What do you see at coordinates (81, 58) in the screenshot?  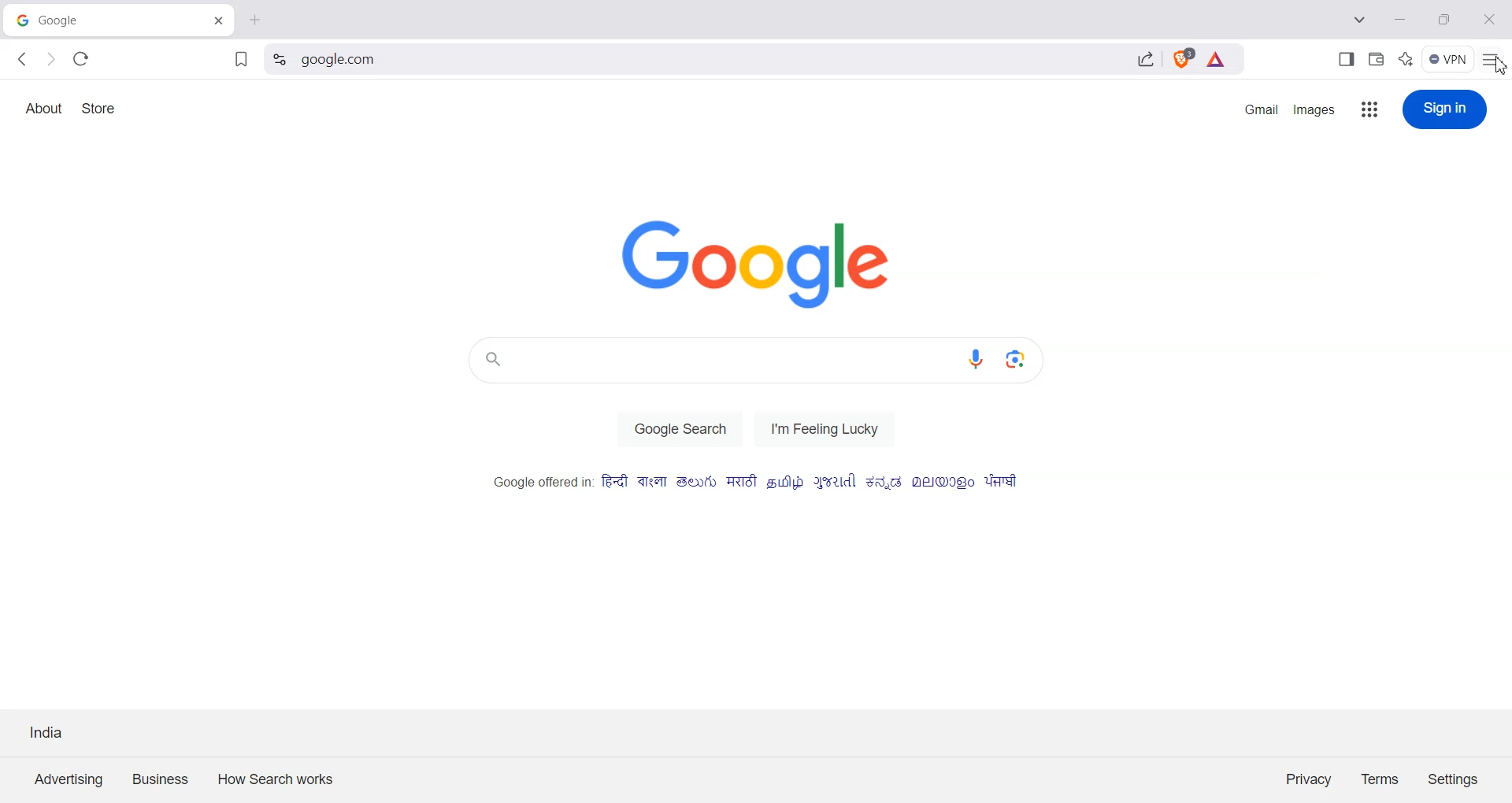 I see `Reload` at bounding box center [81, 58].